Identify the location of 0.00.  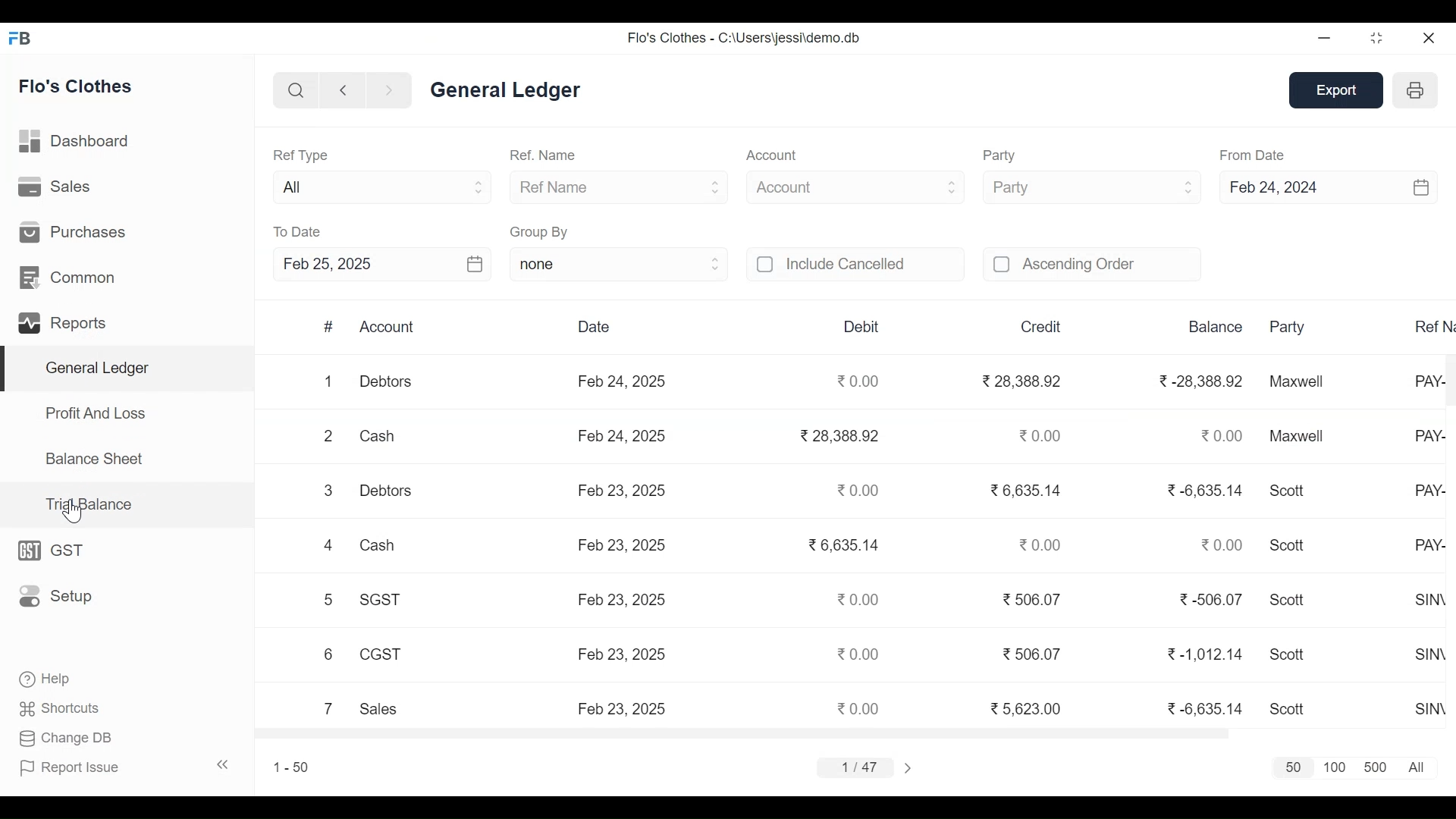
(1224, 436).